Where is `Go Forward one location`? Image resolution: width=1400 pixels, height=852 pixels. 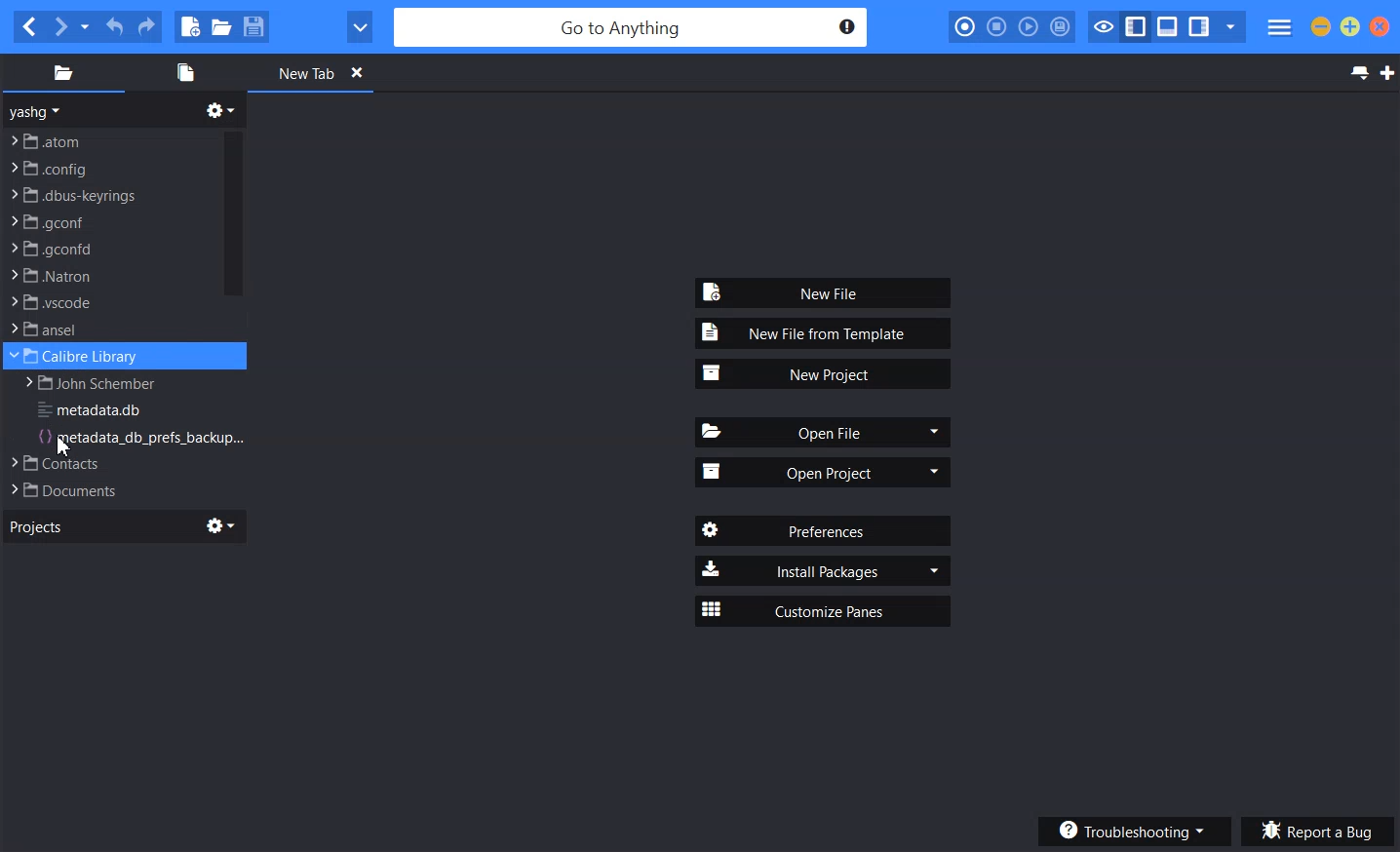
Go Forward one location is located at coordinates (59, 27).